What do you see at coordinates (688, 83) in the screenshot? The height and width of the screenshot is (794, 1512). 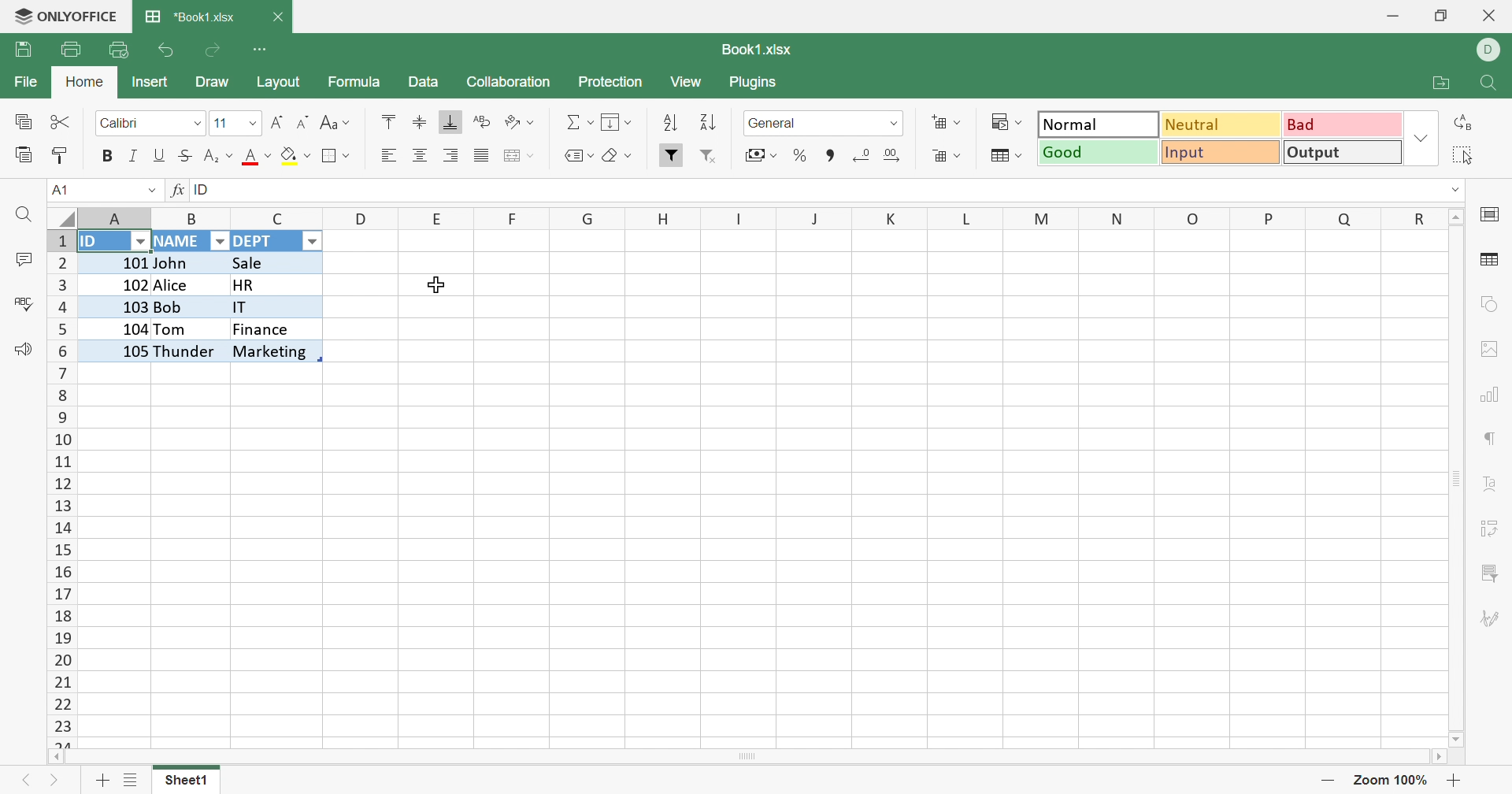 I see `View` at bounding box center [688, 83].